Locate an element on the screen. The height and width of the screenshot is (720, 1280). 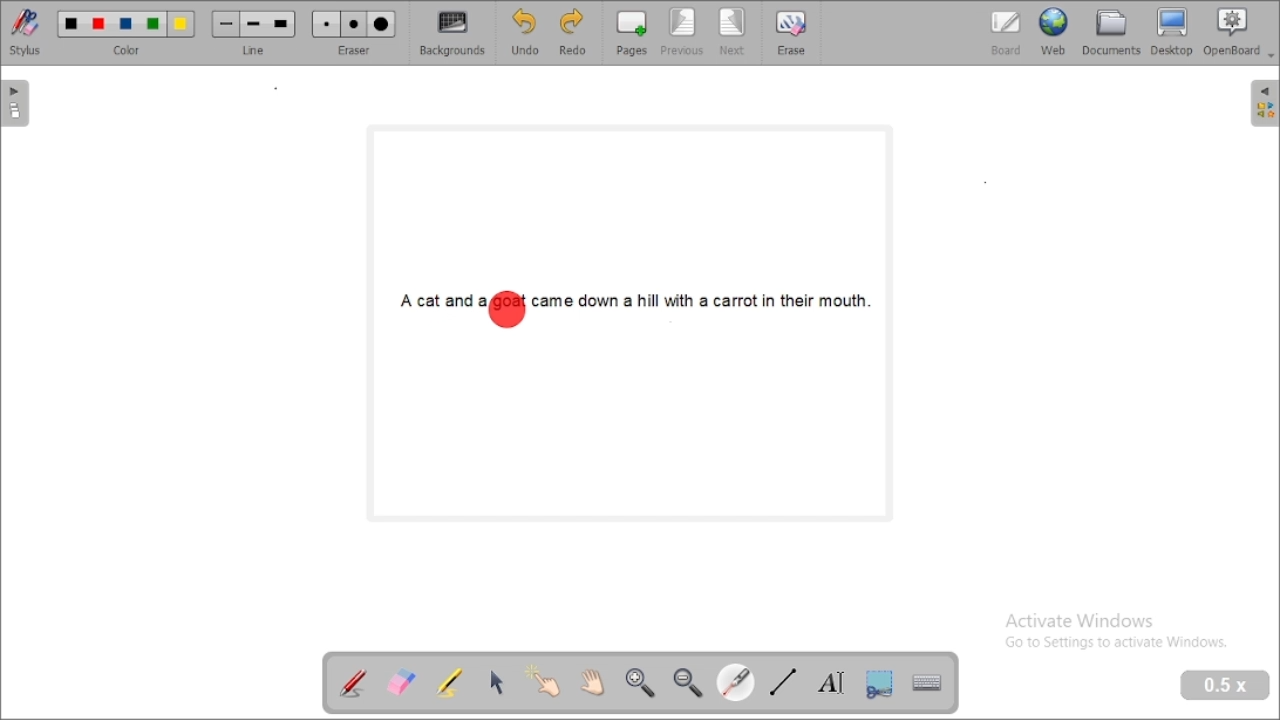
pages pane is located at coordinates (18, 103).